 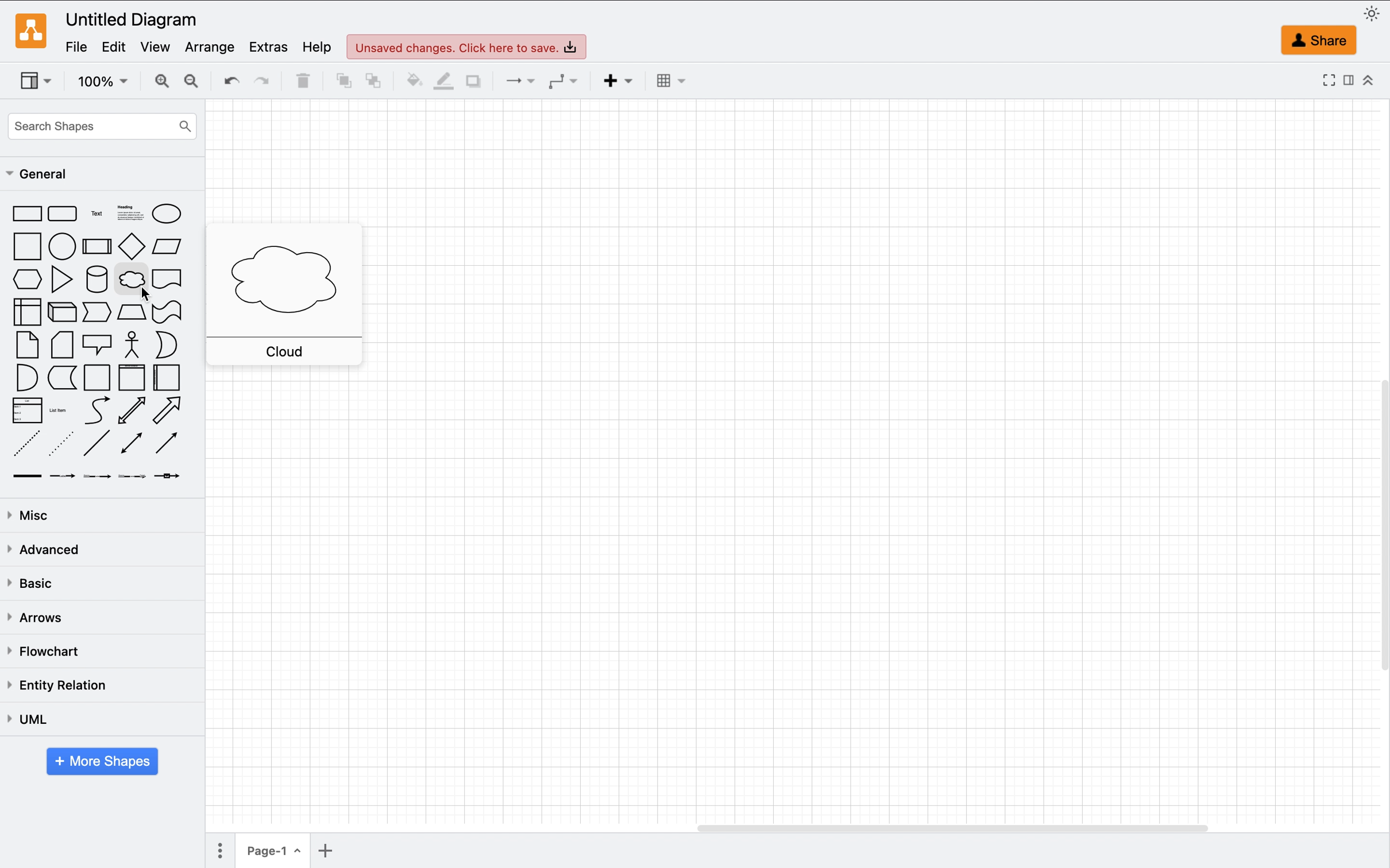 What do you see at coordinates (226, 80) in the screenshot?
I see `undo` at bounding box center [226, 80].